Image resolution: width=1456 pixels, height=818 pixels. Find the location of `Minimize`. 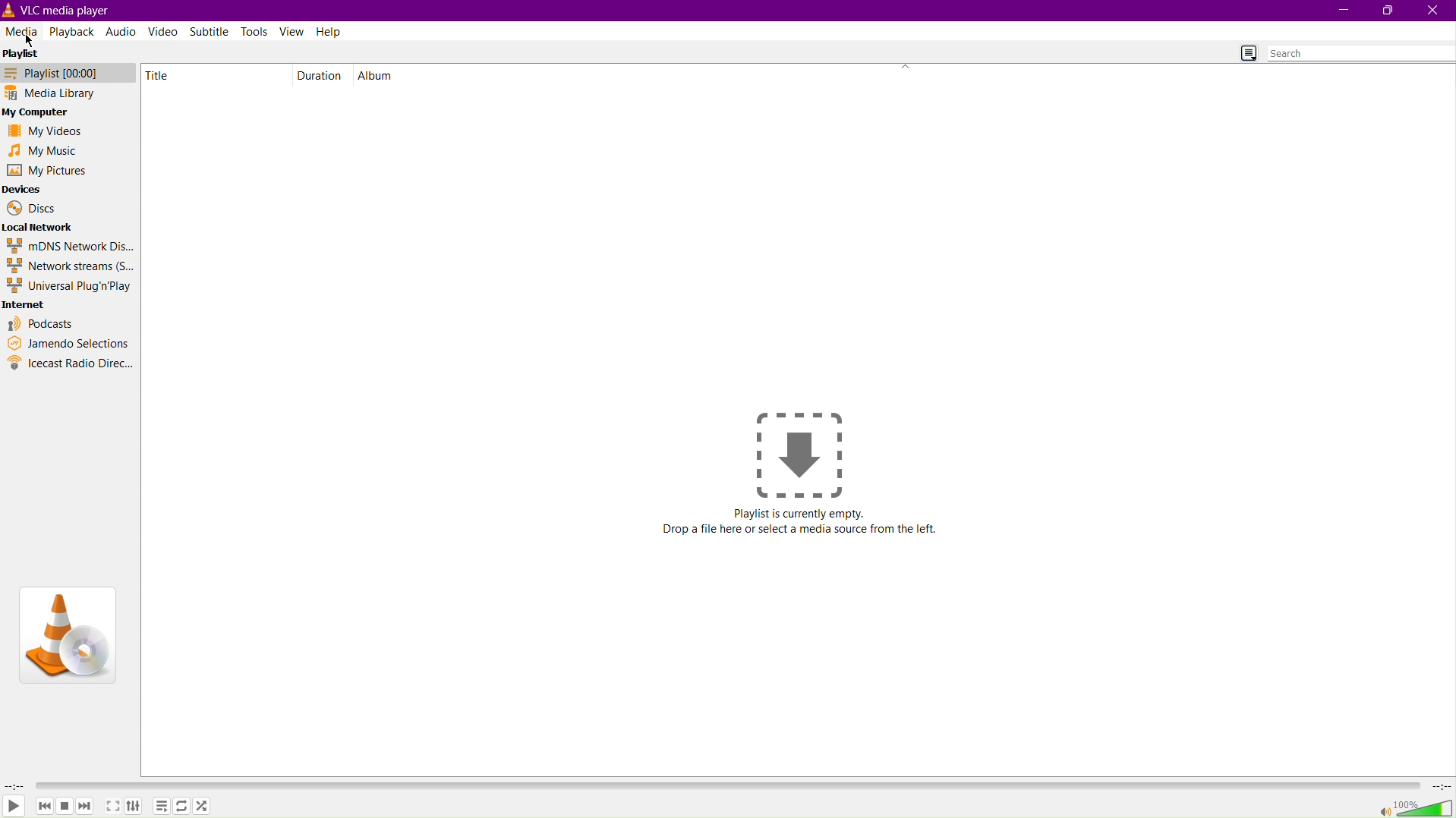

Minimize is located at coordinates (1346, 11).